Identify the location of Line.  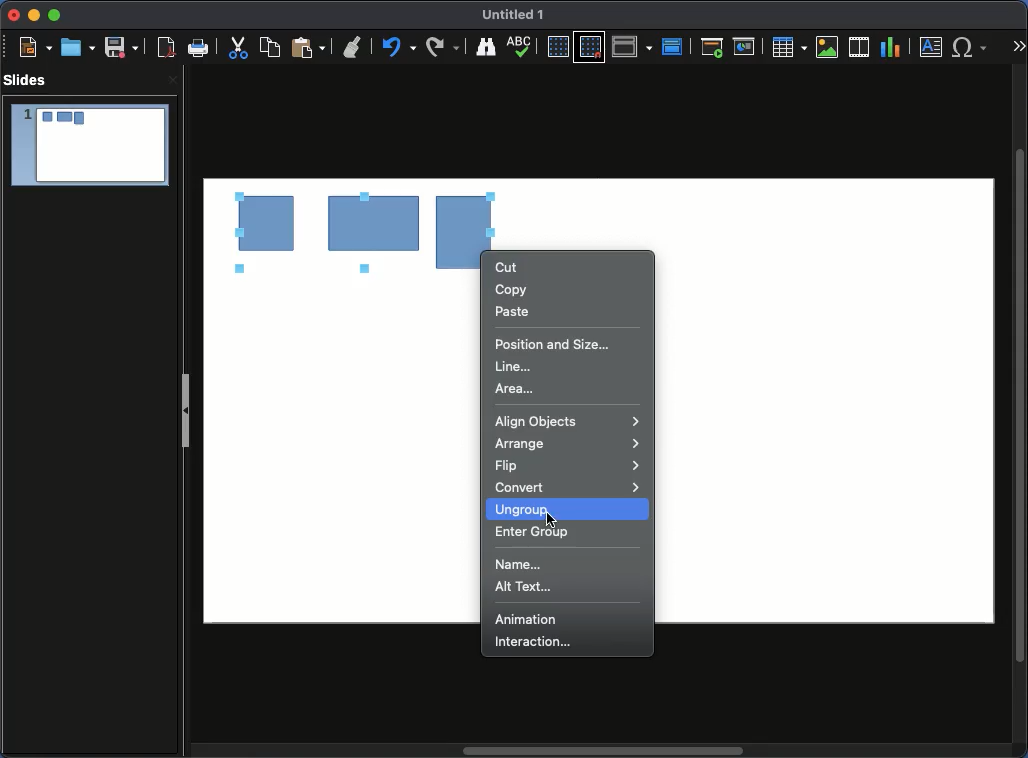
(516, 366).